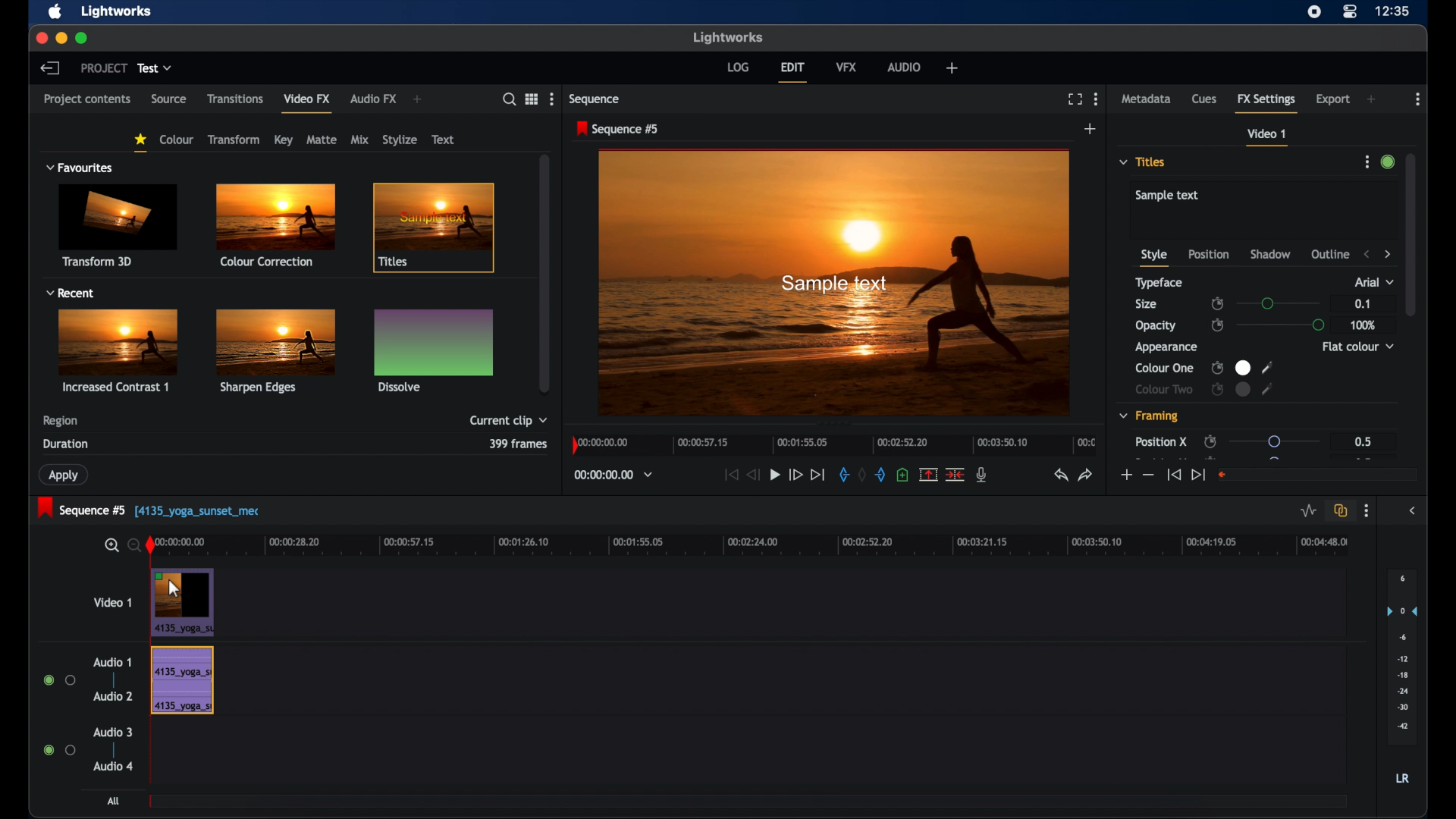 The width and height of the screenshot is (1456, 819). I want to click on apple icon, so click(55, 12).